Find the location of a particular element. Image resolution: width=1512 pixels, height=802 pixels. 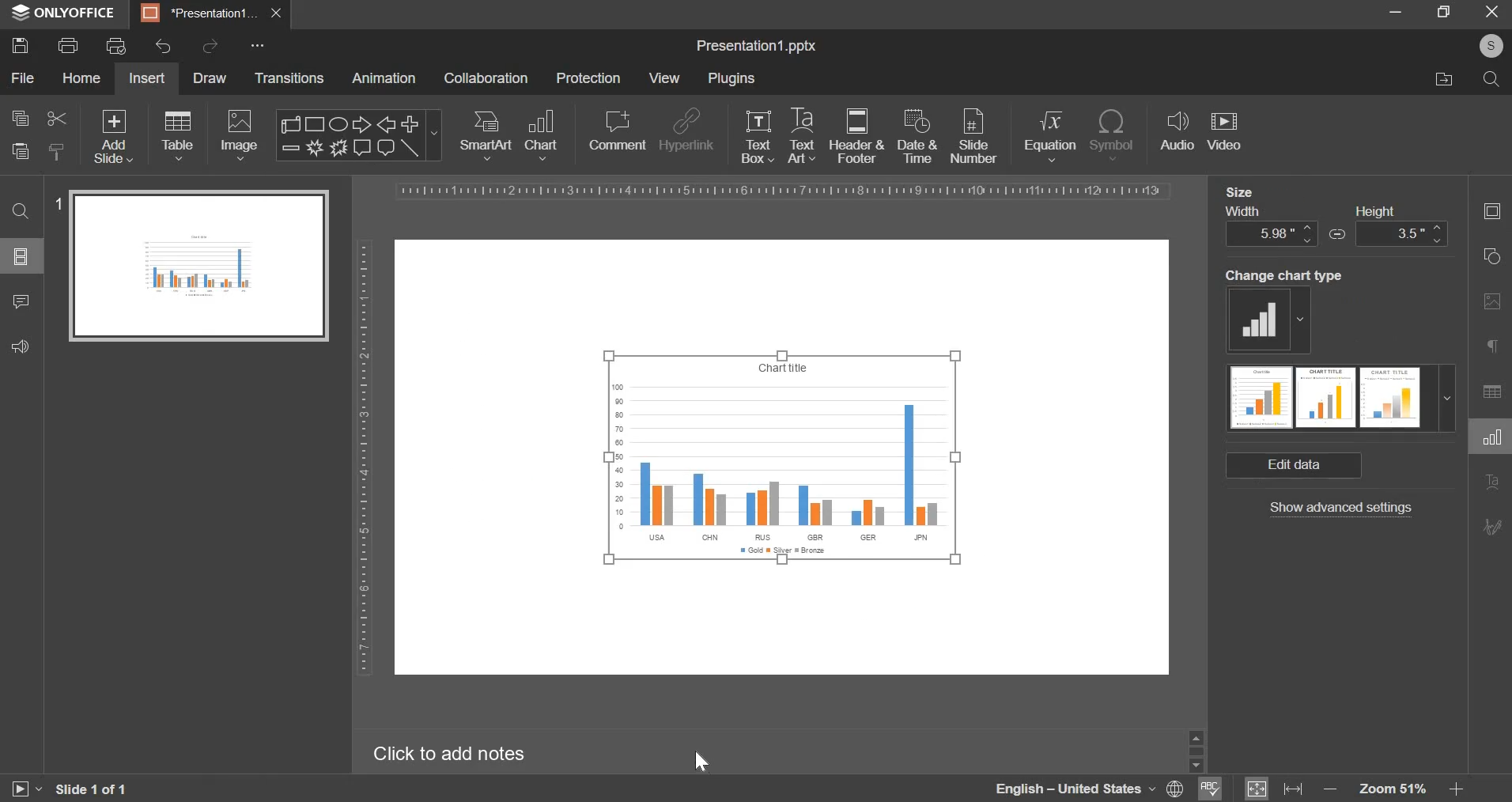

find is located at coordinates (21, 211).